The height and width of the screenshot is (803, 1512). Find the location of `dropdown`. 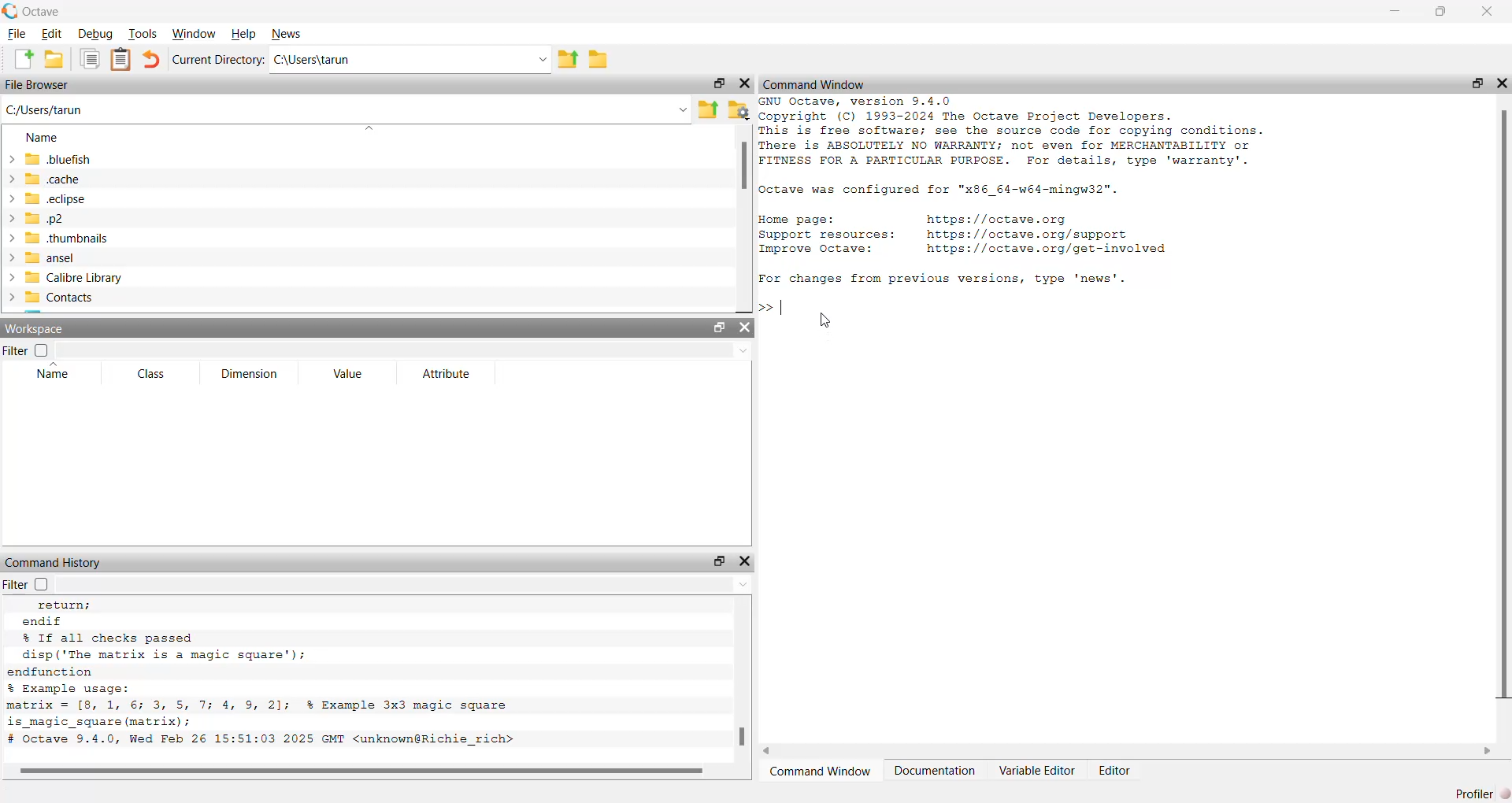

dropdown is located at coordinates (743, 351).